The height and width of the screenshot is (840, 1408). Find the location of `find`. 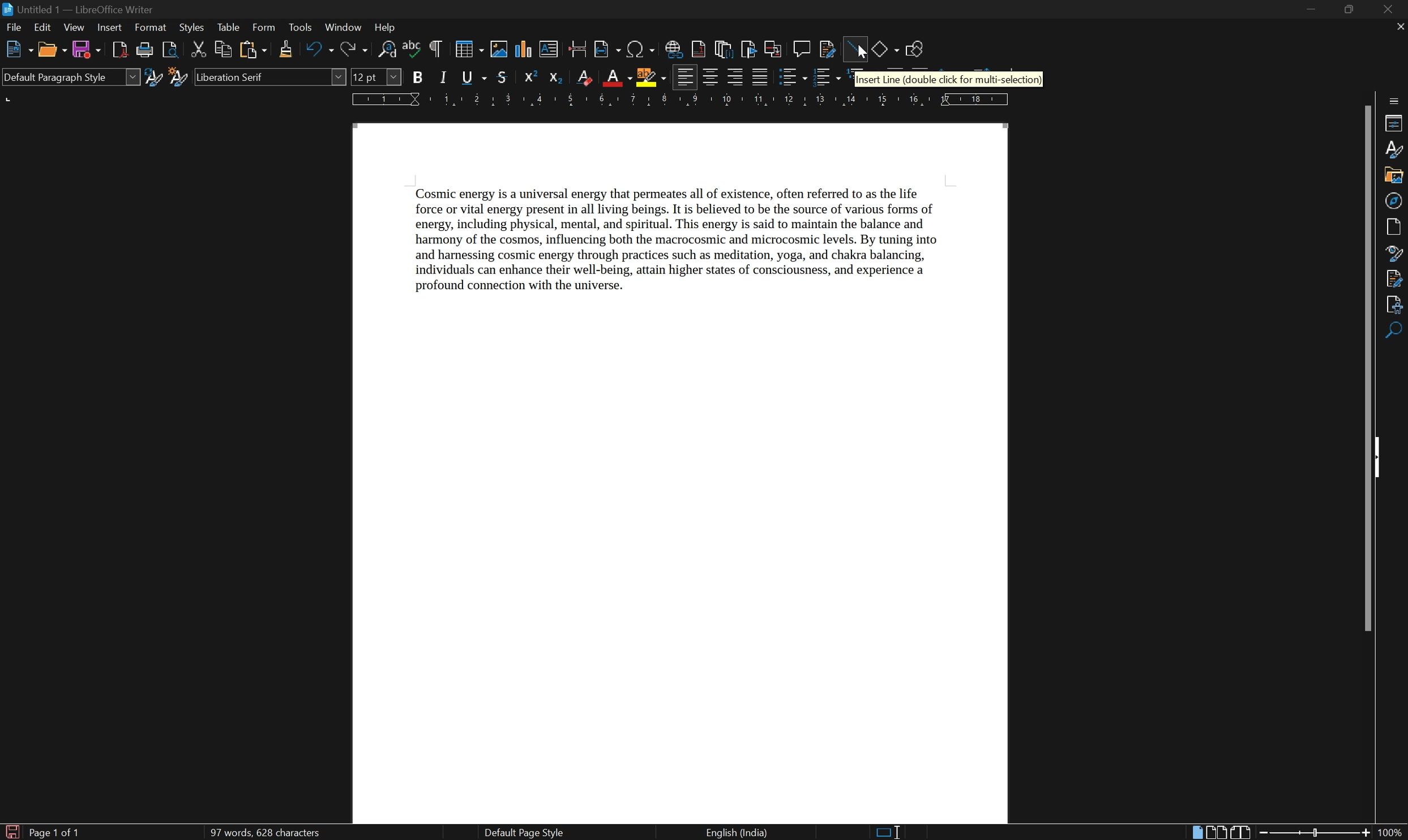

find is located at coordinates (1396, 331).